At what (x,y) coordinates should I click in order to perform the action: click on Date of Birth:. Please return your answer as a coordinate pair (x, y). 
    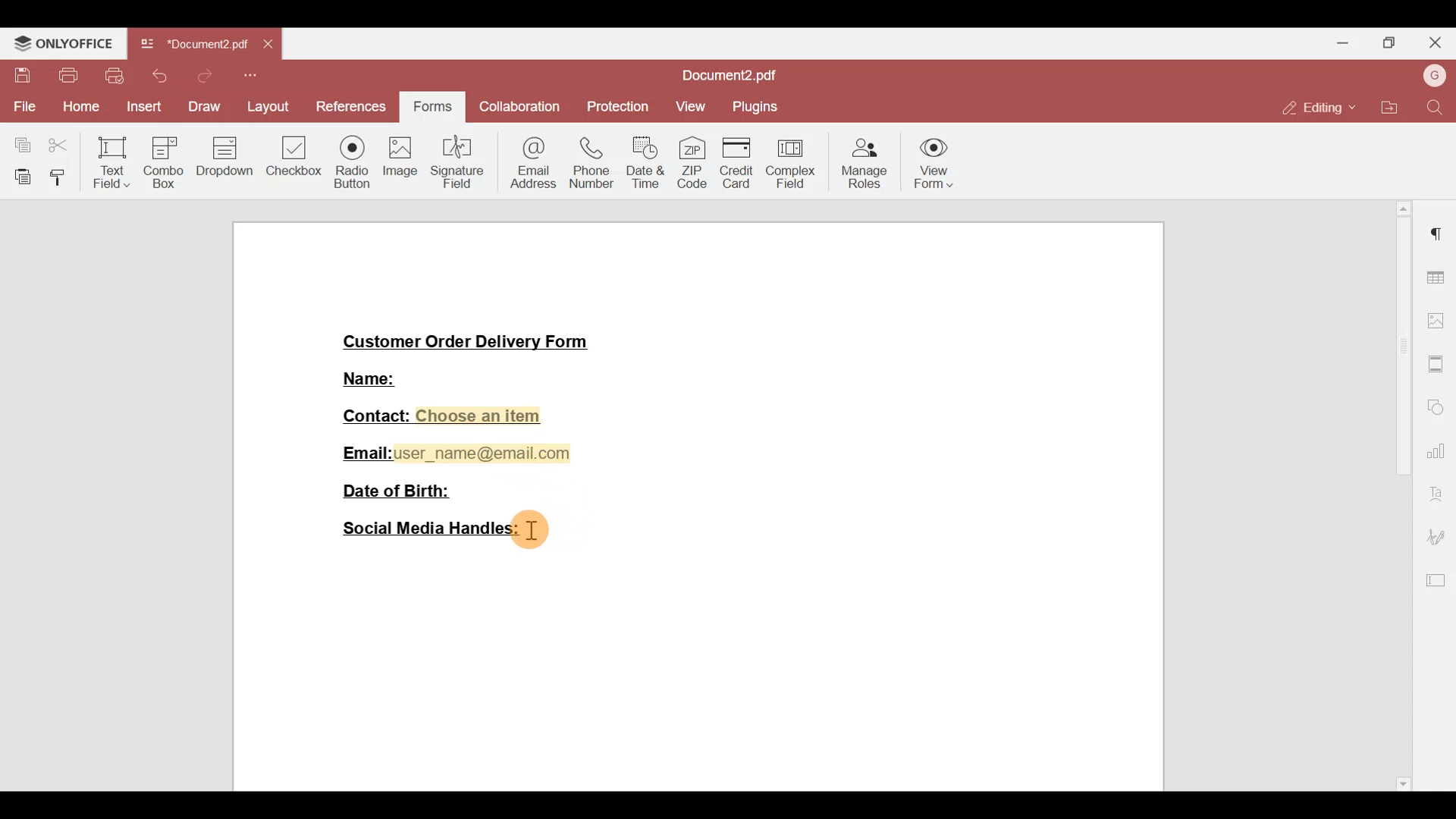
    Looking at the image, I should click on (399, 493).